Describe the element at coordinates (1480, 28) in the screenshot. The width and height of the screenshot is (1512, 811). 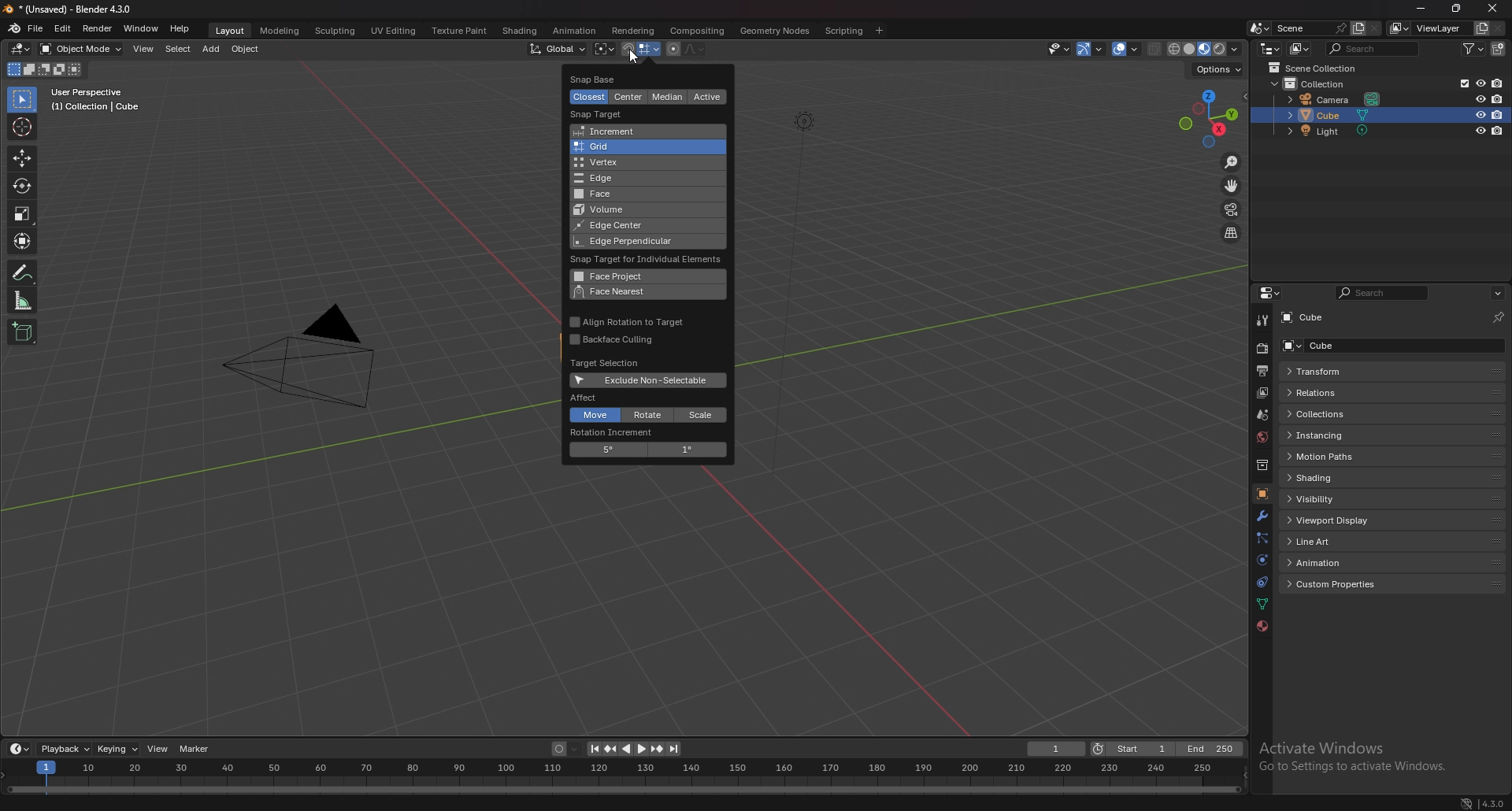
I see `add view layer` at that location.